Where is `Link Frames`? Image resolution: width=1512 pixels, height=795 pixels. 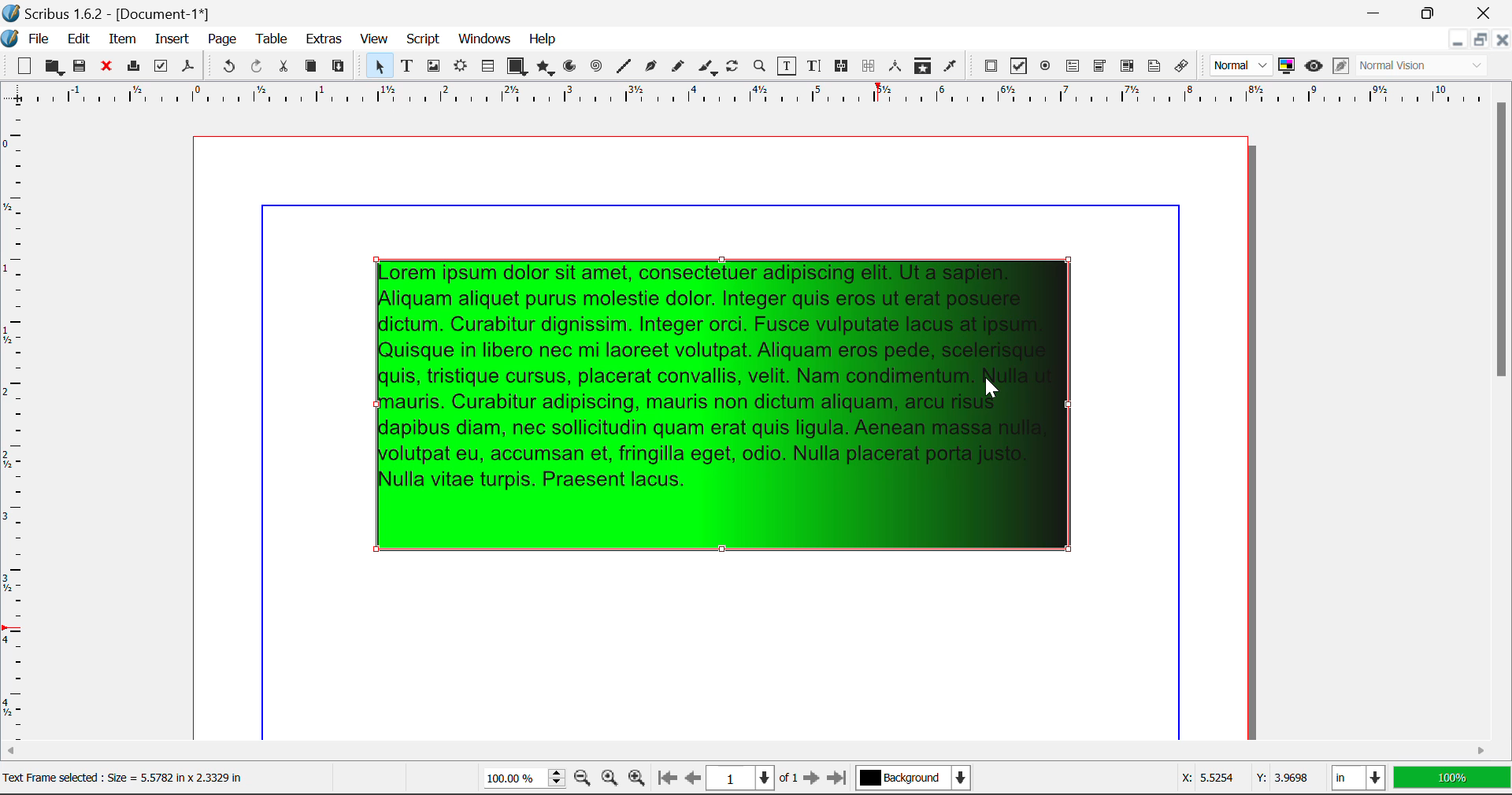 Link Frames is located at coordinates (844, 66).